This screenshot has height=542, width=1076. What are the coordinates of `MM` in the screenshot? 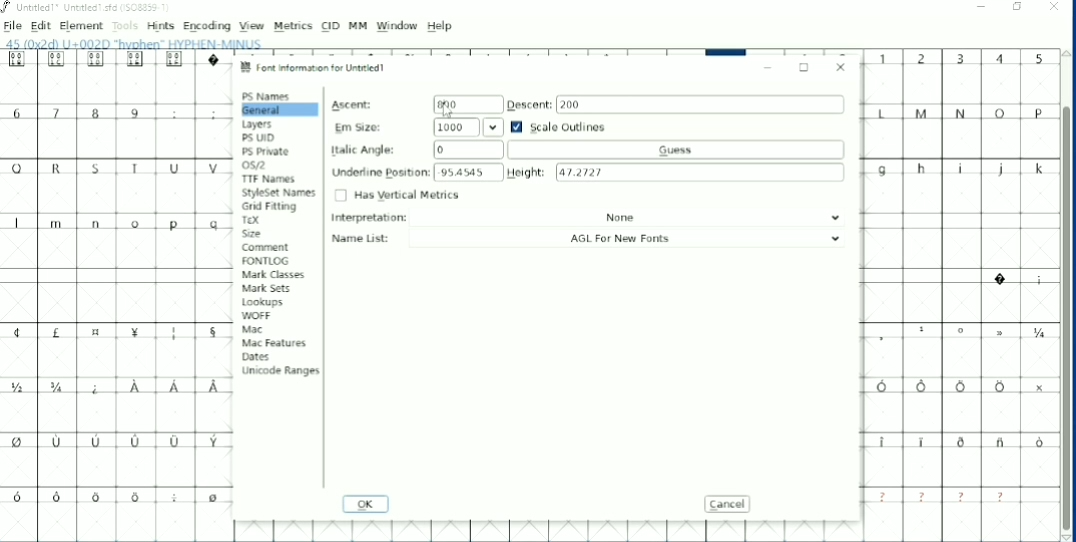 It's located at (358, 26).